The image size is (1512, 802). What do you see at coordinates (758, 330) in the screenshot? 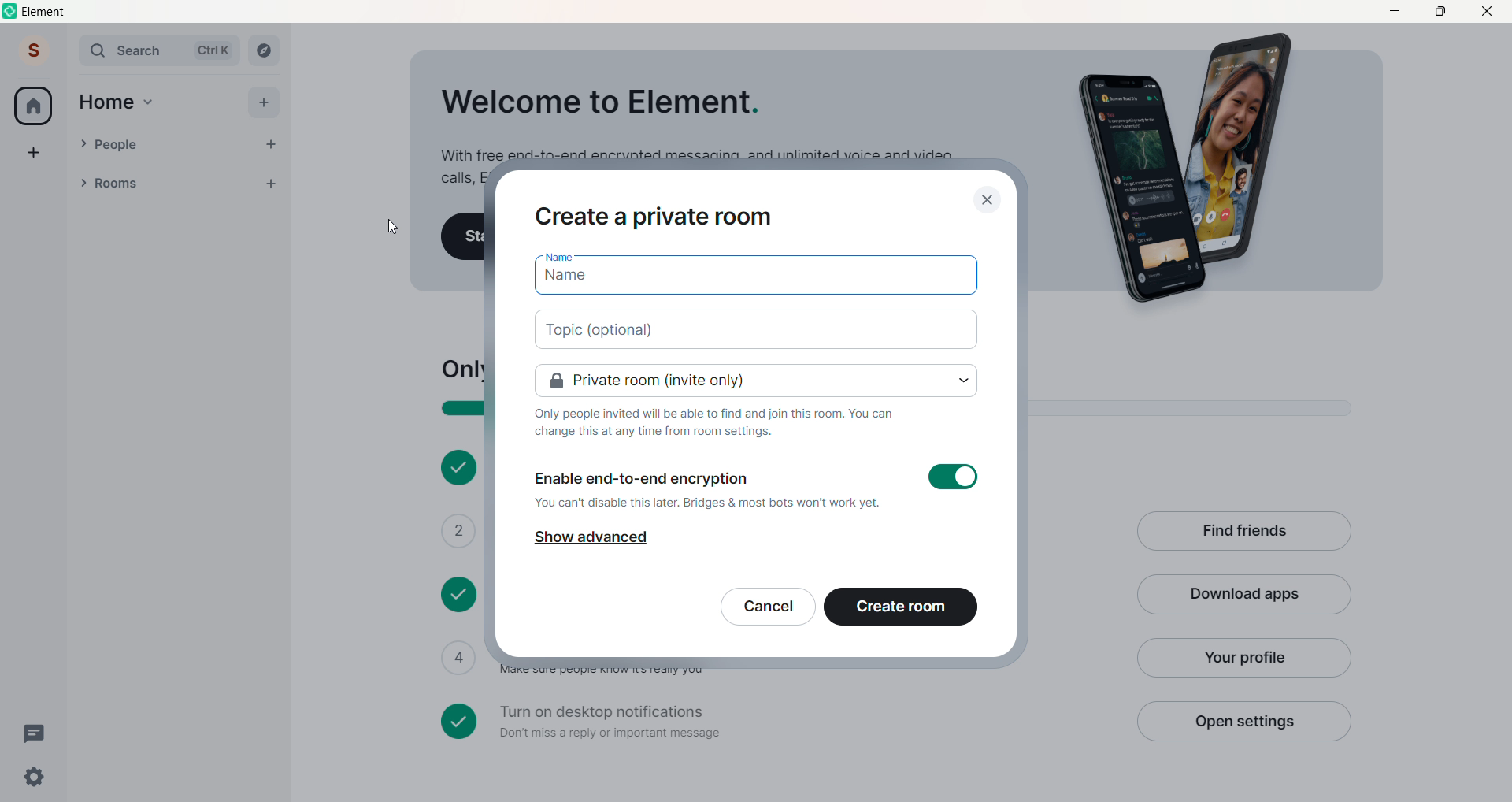
I see `add topic (optional)` at bounding box center [758, 330].